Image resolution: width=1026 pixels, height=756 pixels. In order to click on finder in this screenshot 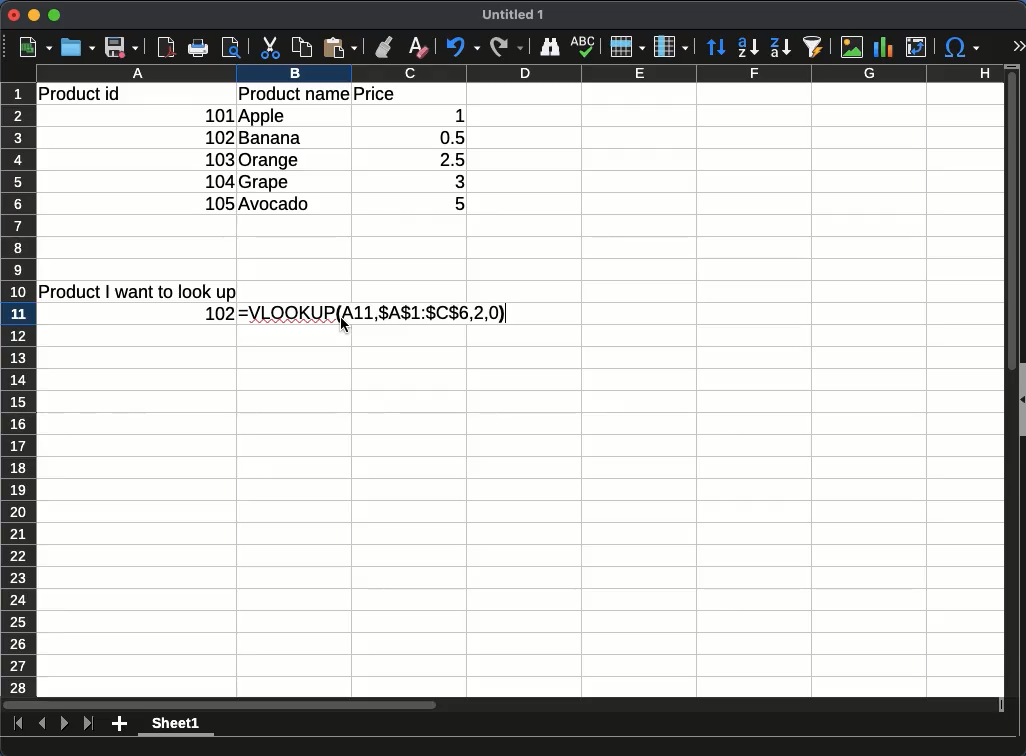, I will do `click(550, 47)`.